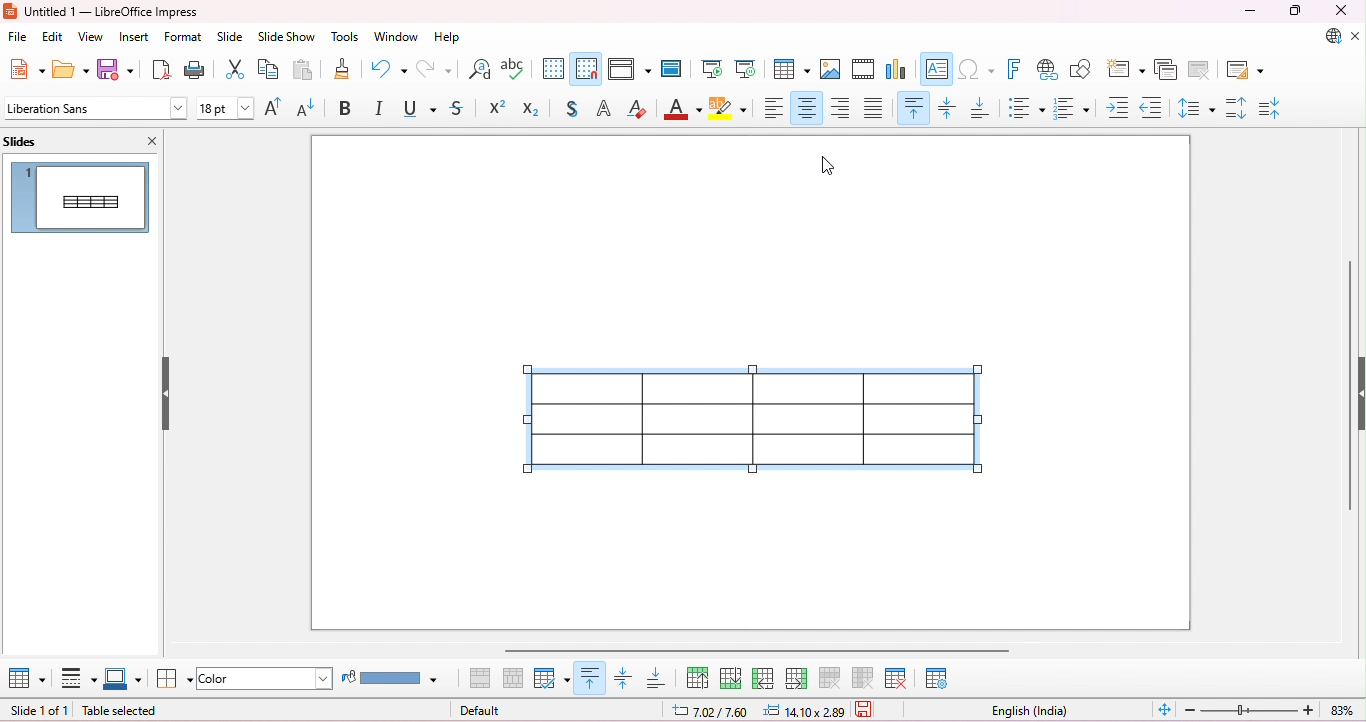 The height and width of the screenshot is (722, 1366). I want to click on cursor and object position changed, so click(756, 711).